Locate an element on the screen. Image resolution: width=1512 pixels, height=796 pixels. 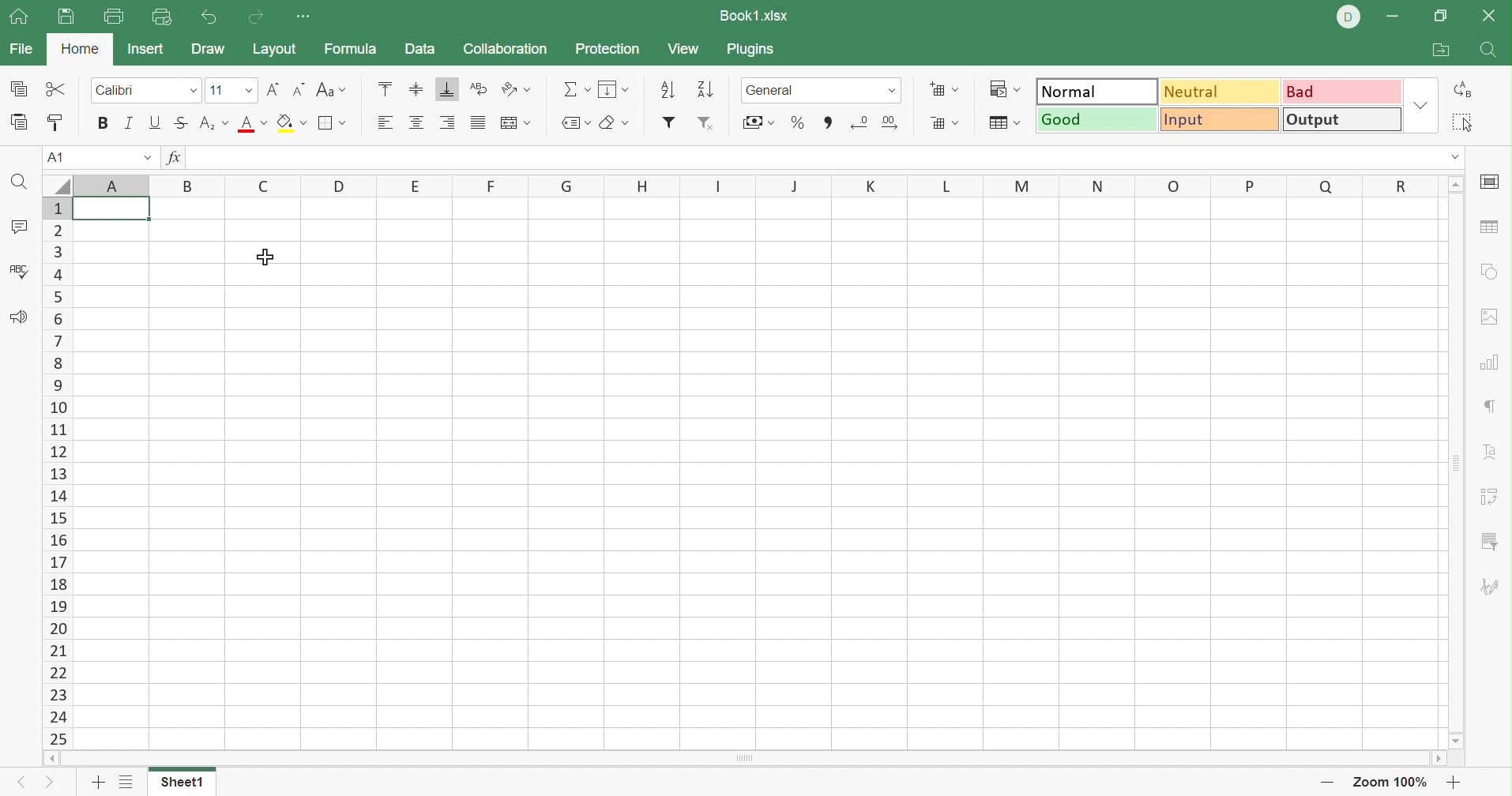
Font is located at coordinates (148, 91).